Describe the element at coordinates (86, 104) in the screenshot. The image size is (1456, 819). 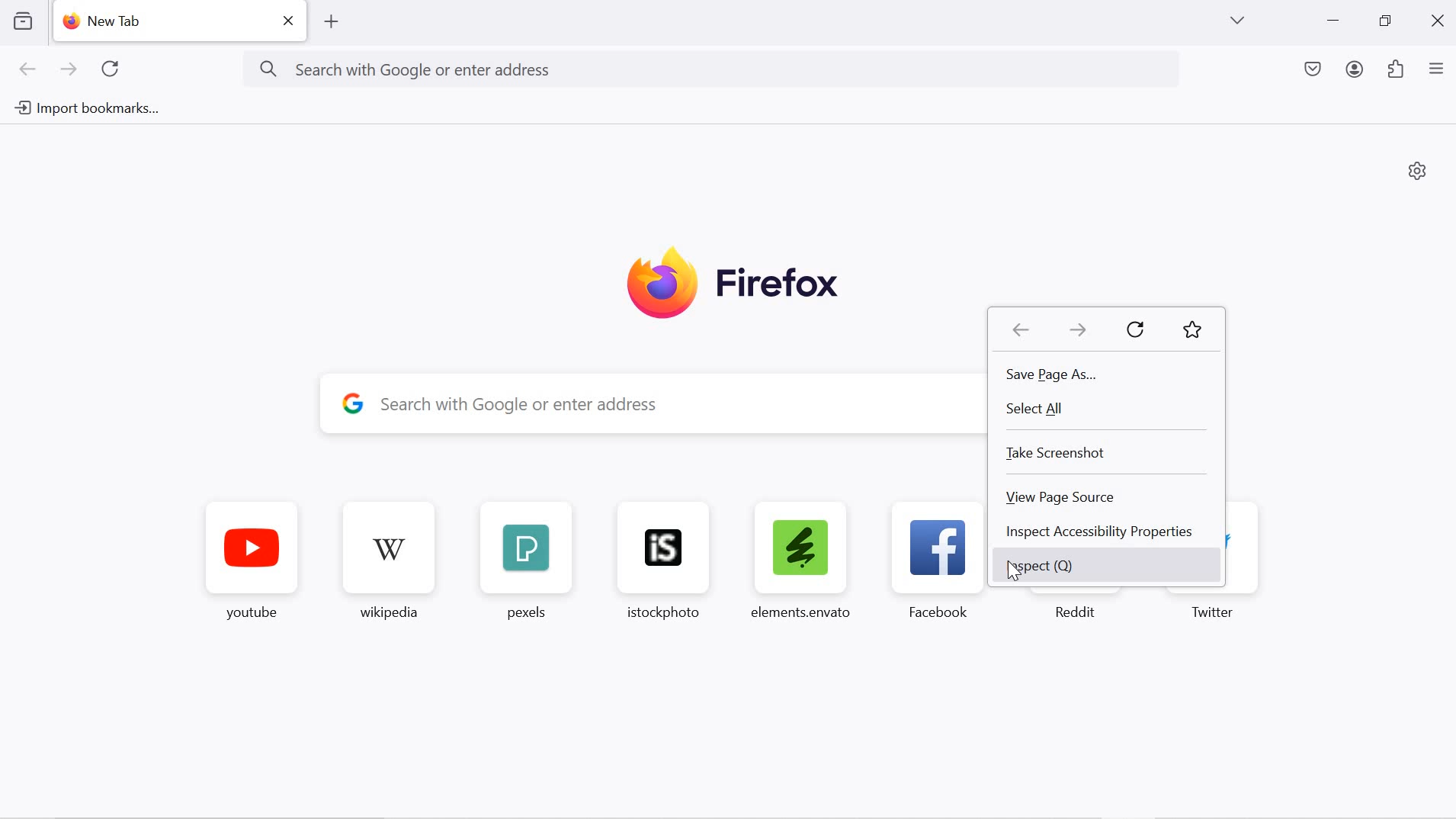
I see `Import bookmarks` at that location.